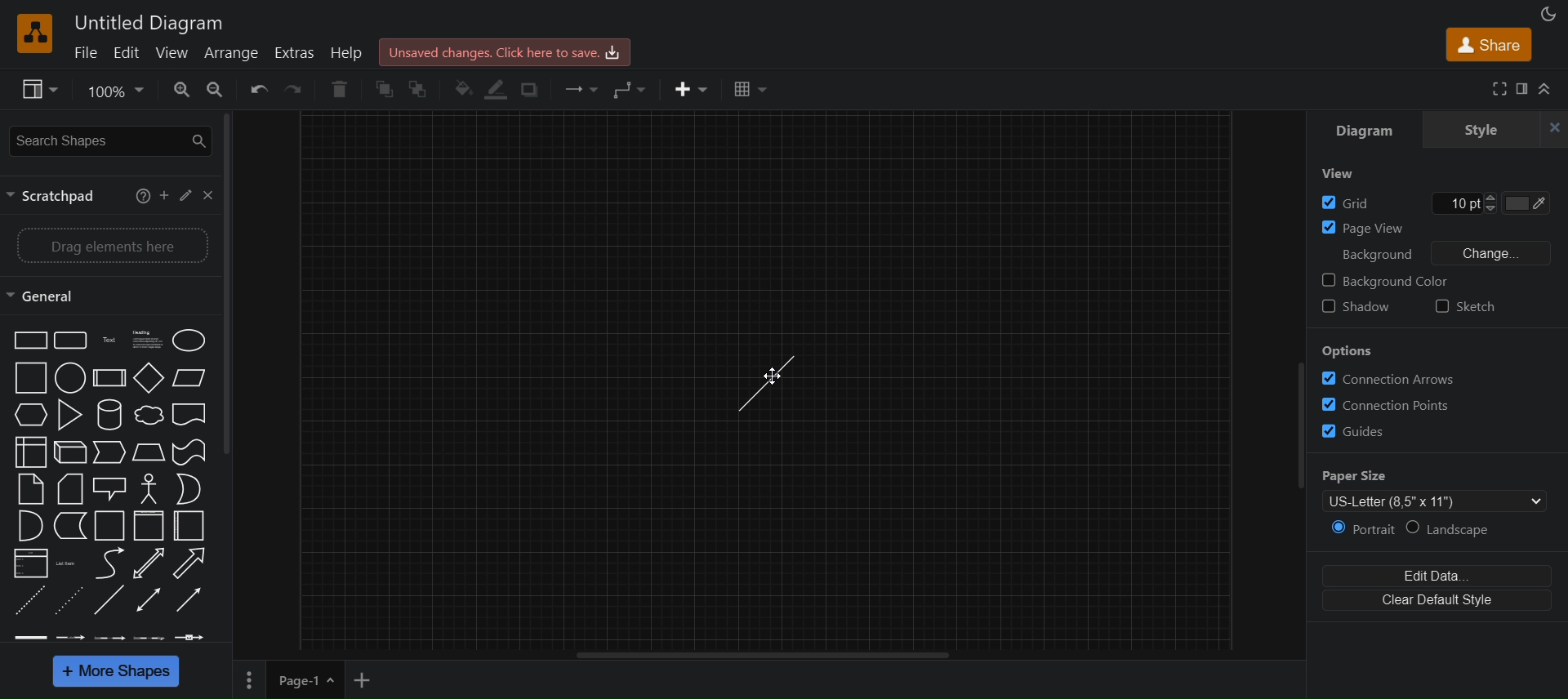 This screenshot has height=699, width=1568. What do you see at coordinates (149, 23) in the screenshot?
I see `Untitled Diagram` at bounding box center [149, 23].